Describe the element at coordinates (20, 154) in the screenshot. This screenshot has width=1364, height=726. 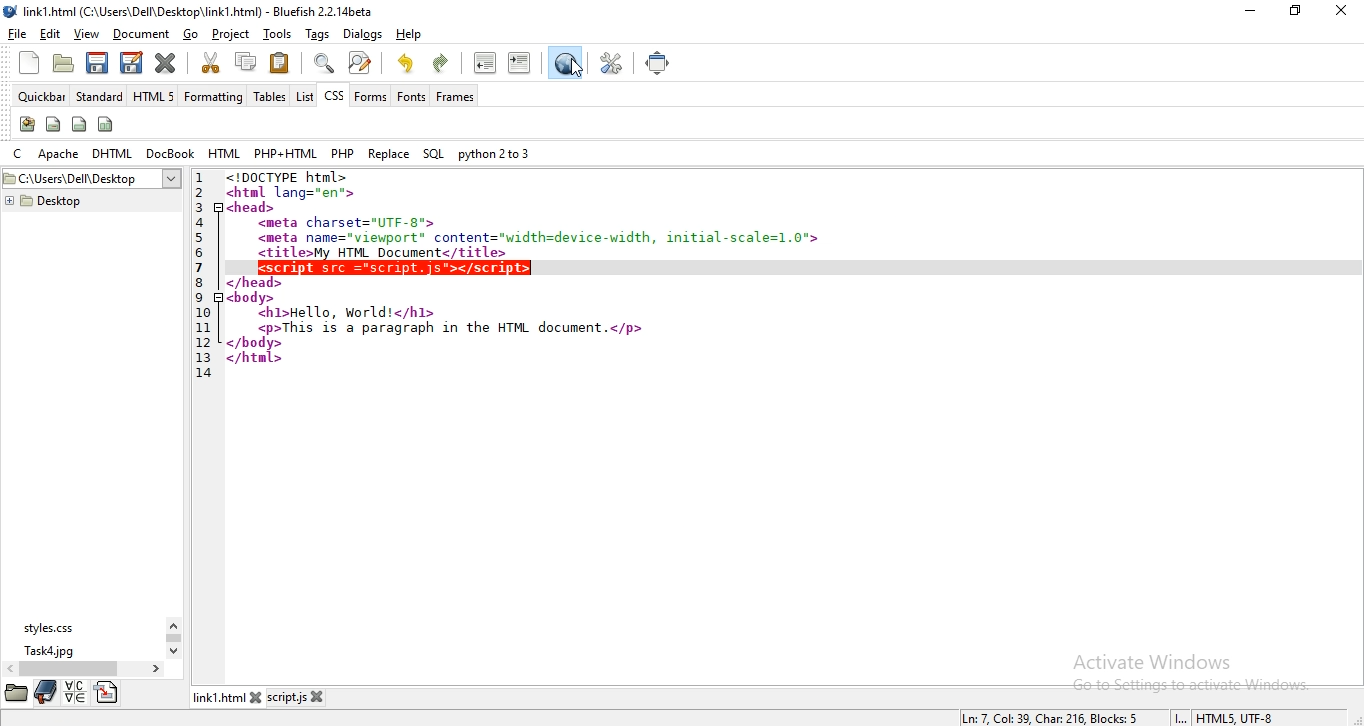
I see `c` at that location.